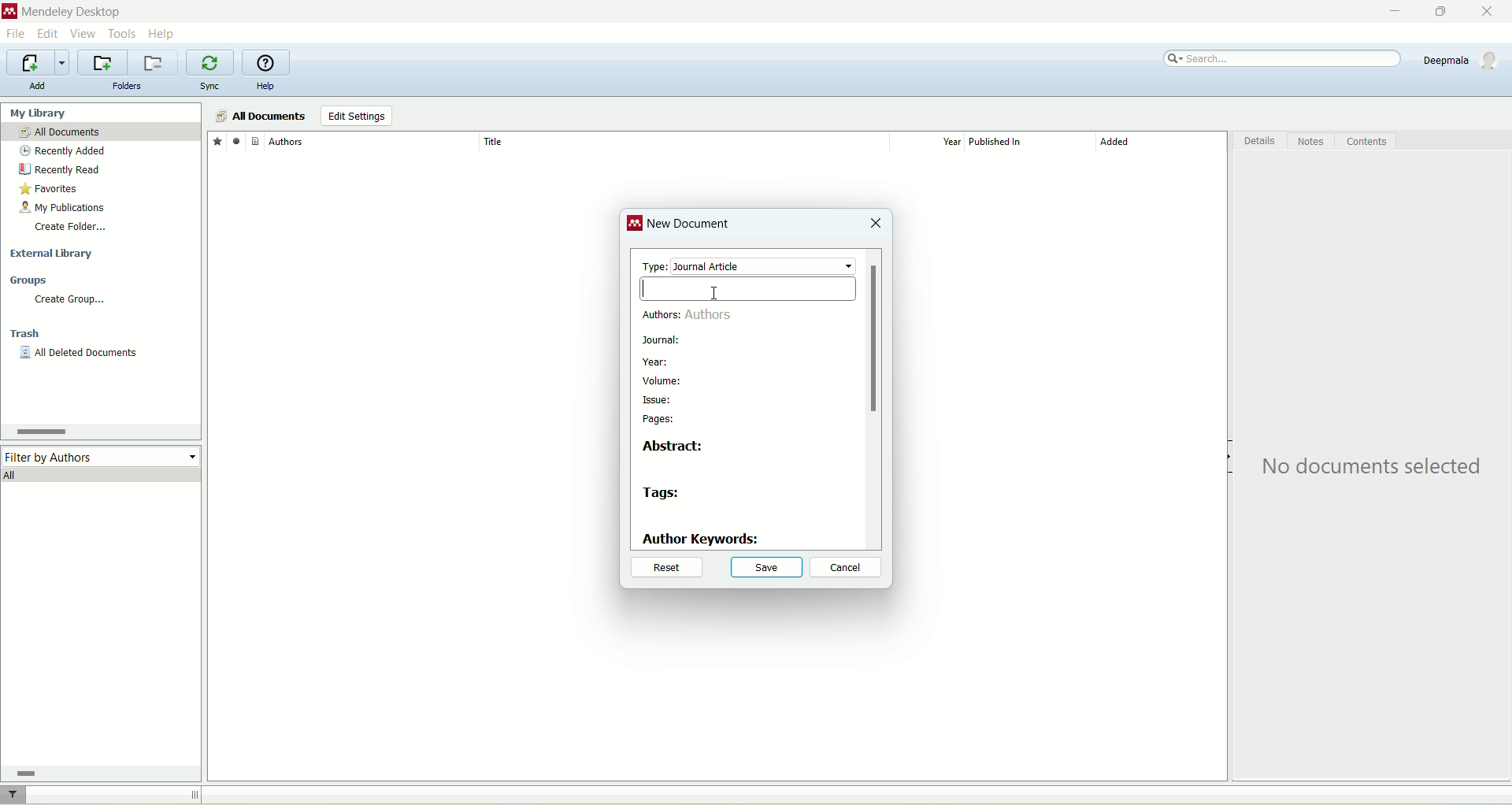  What do you see at coordinates (69, 13) in the screenshot?
I see `mendeley desktop` at bounding box center [69, 13].